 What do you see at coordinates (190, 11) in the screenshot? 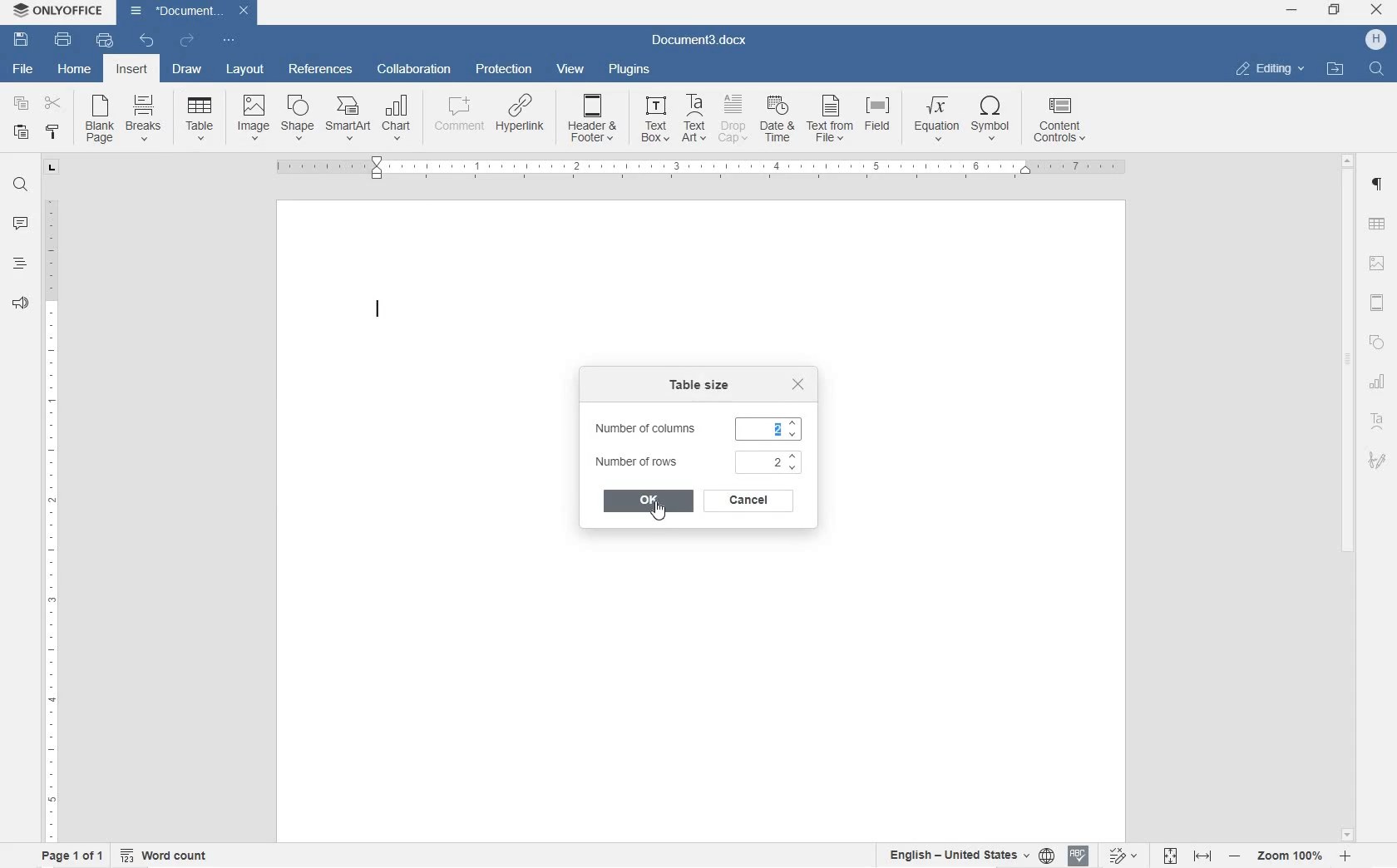
I see `Document3.docx` at bounding box center [190, 11].